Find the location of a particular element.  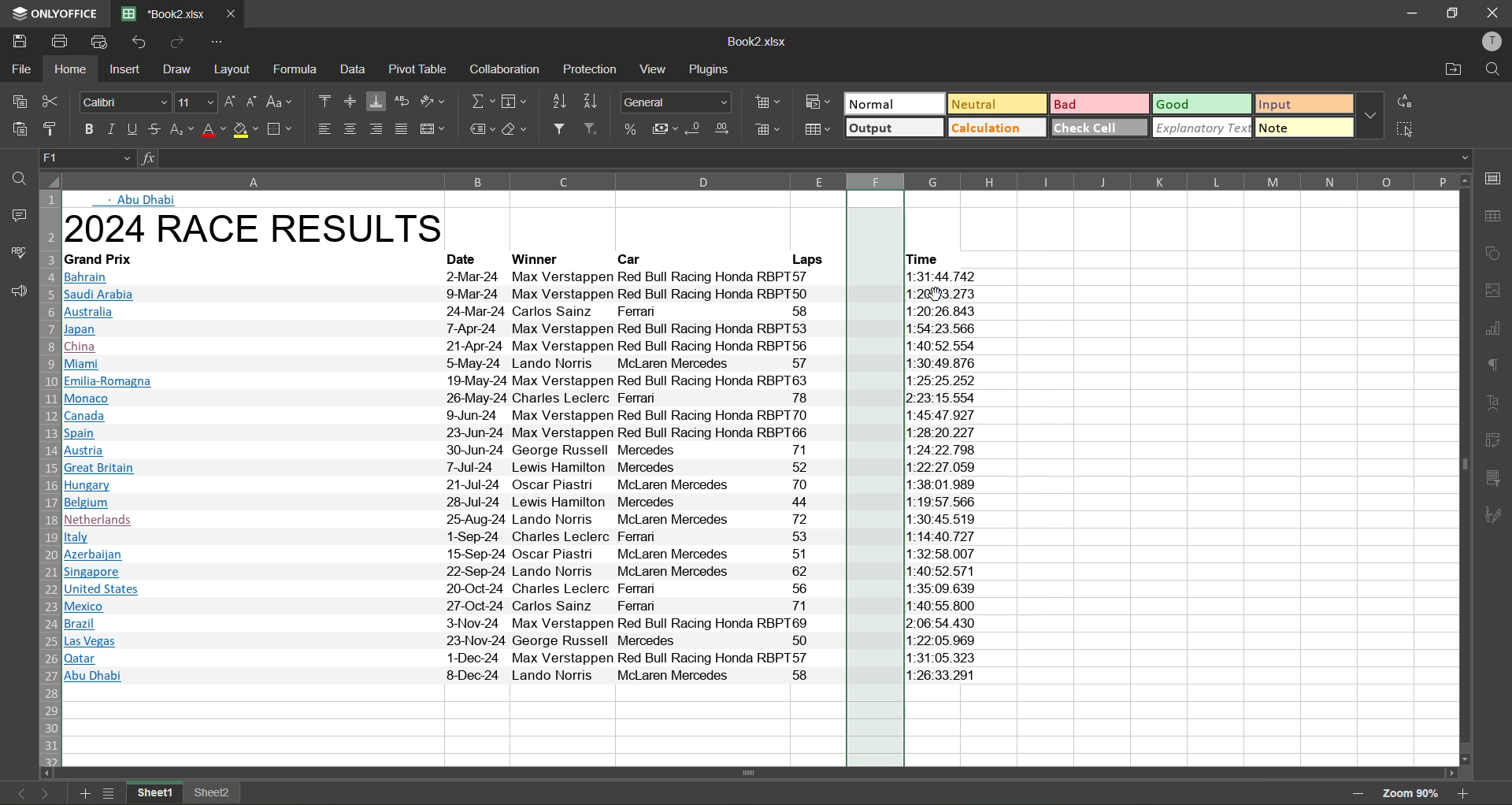

align bottom is located at coordinates (375, 102).